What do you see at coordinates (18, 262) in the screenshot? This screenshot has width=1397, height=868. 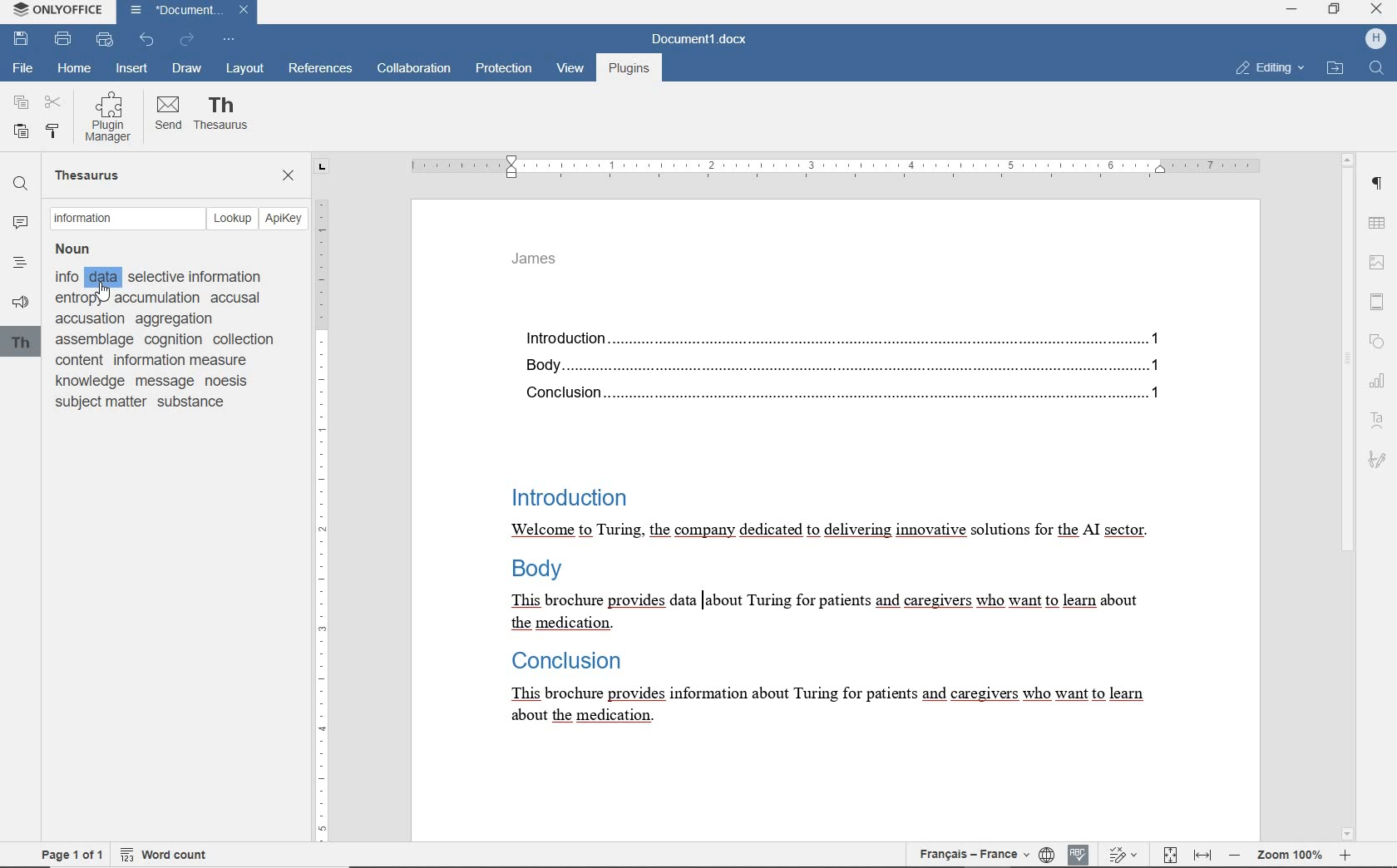 I see `HEADINGS` at bounding box center [18, 262].